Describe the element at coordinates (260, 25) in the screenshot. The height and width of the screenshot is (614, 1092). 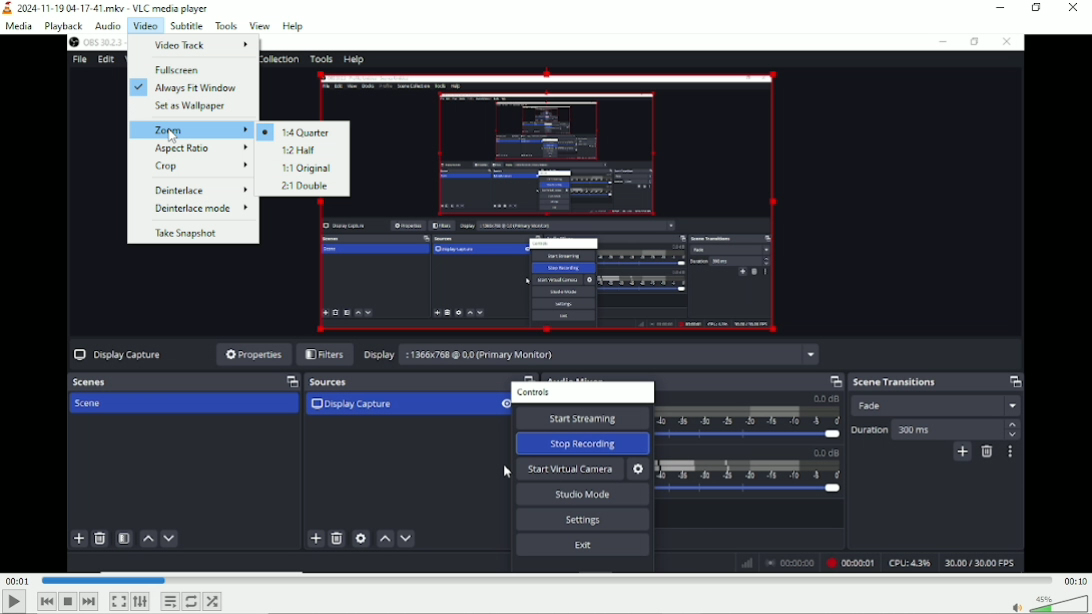
I see `view` at that location.